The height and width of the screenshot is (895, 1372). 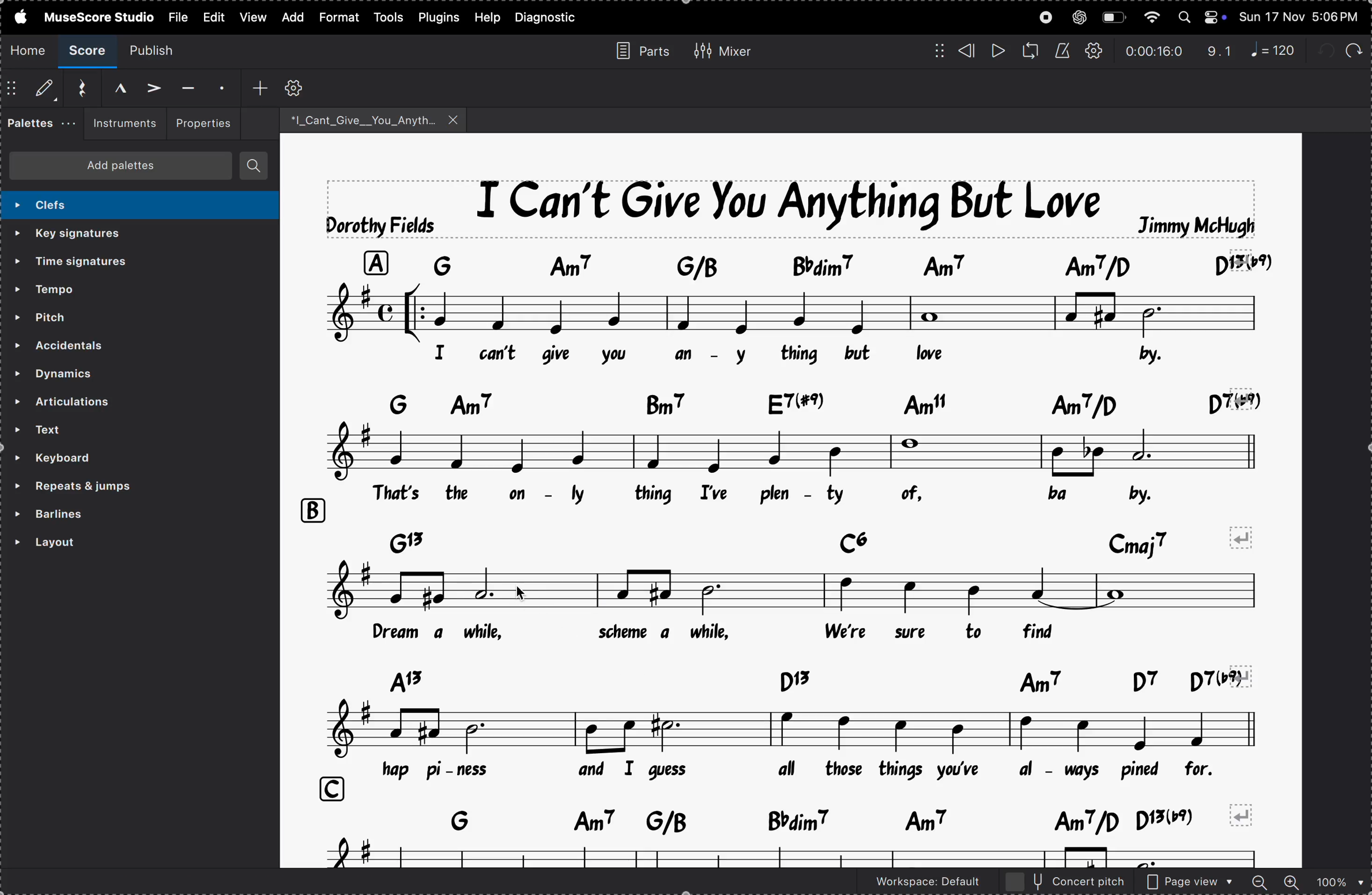 I want to click on key notes, so click(x=795, y=819).